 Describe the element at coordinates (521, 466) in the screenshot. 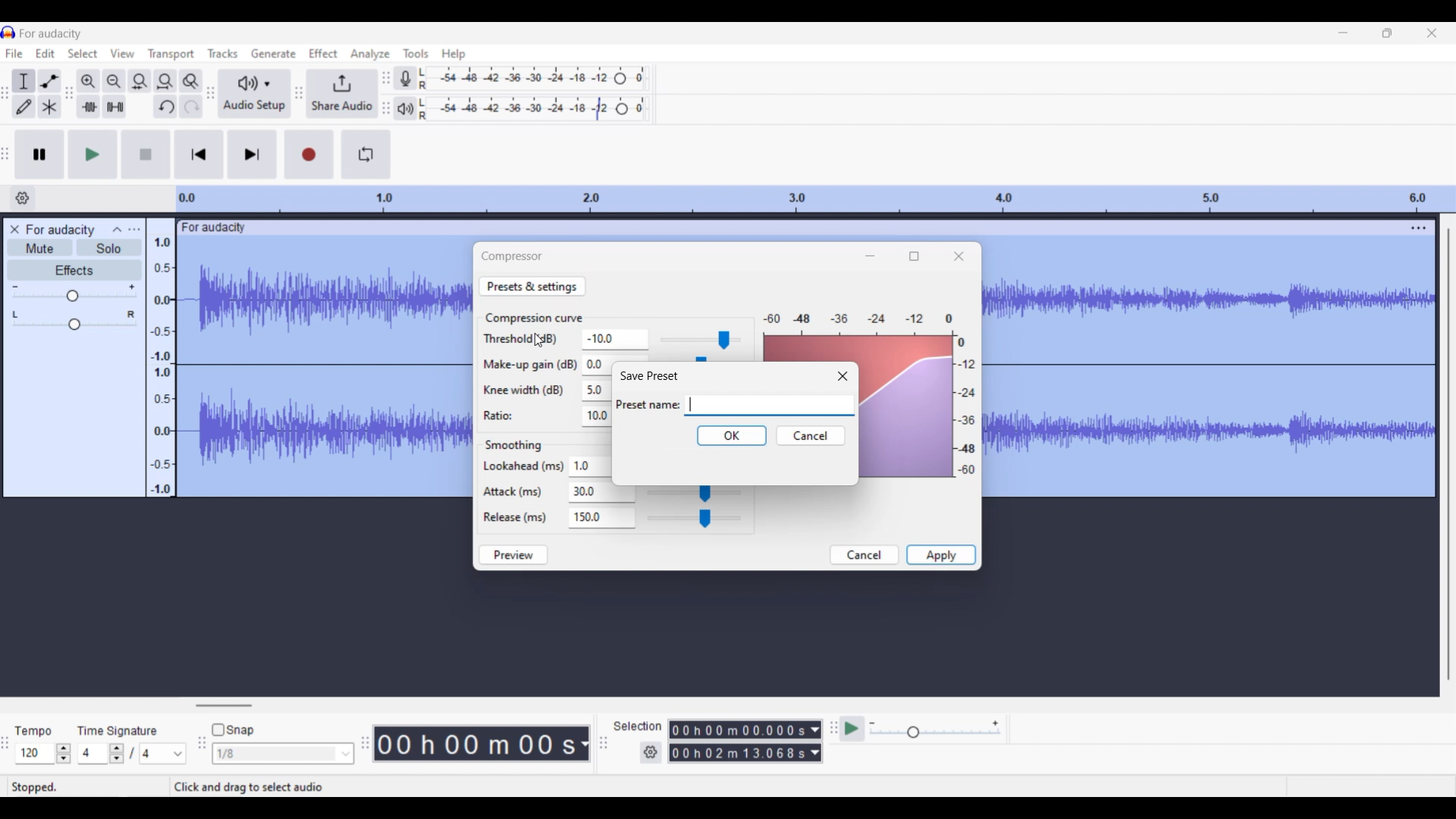

I see `Lookahead (ms)` at that location.